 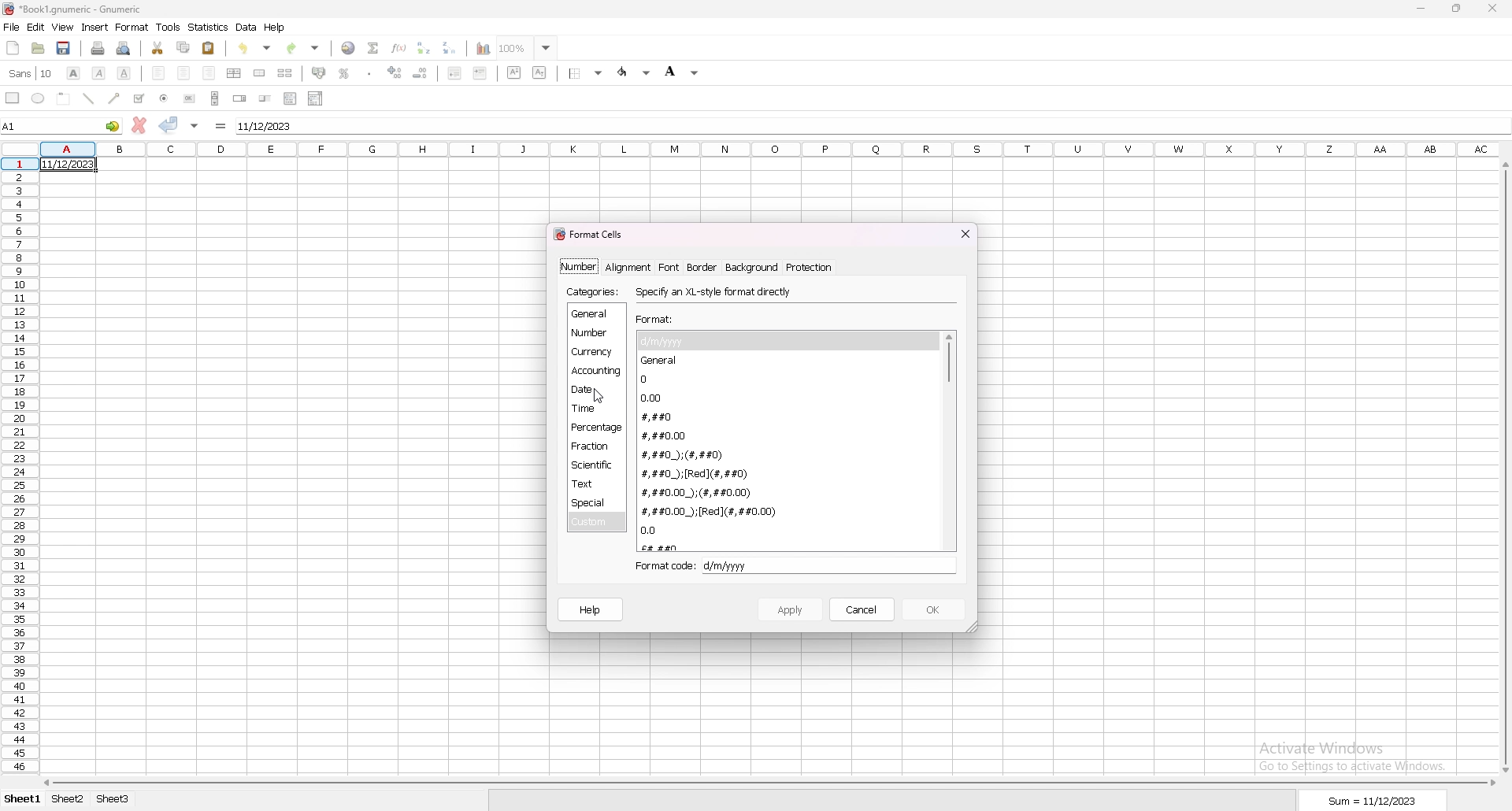 I want to click on combo box, so click(x=317, y=98).